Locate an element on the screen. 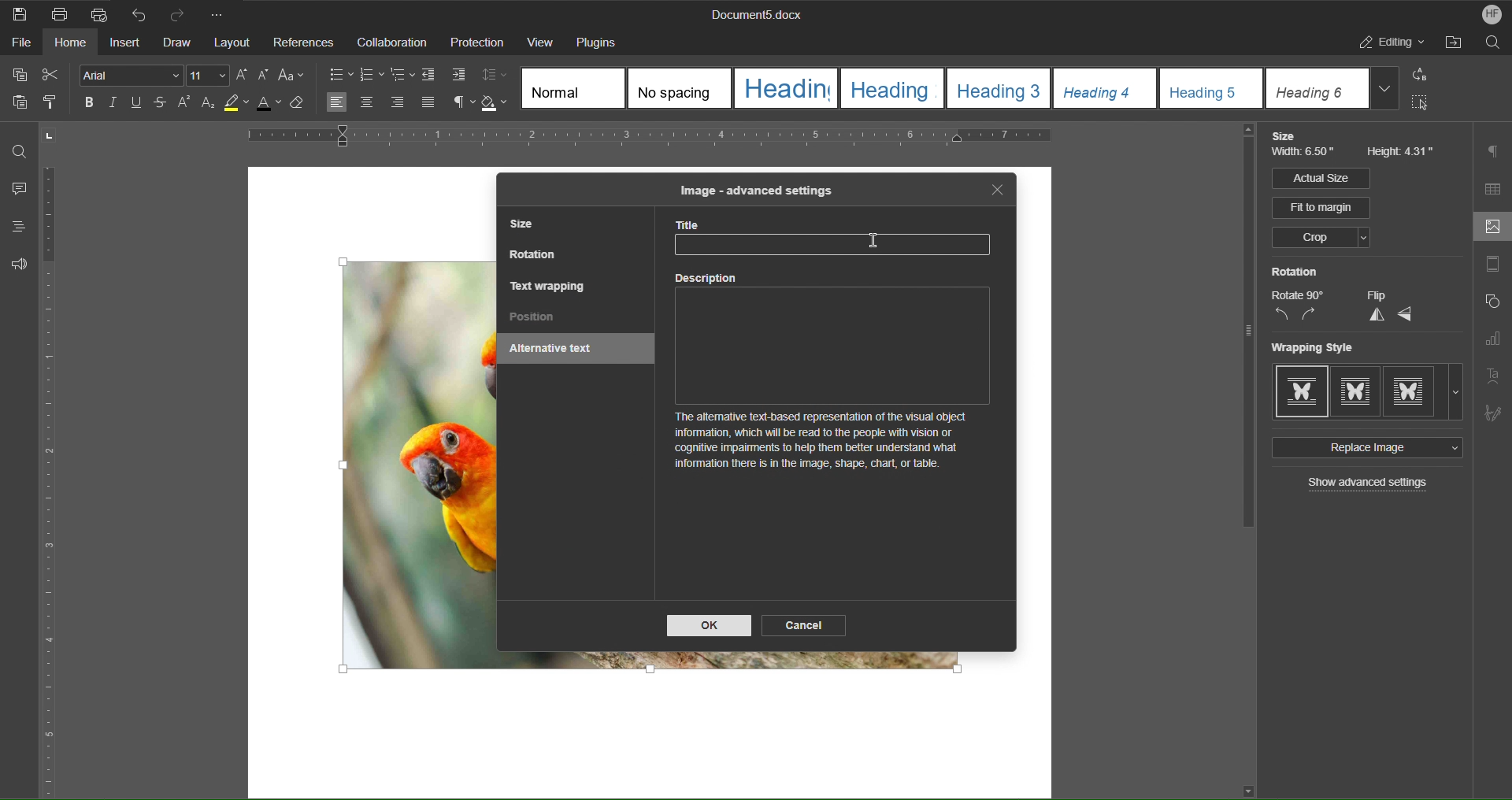 The height and width of the screenshot is (800, 1512). Table Settings is located at coordinates (1493, 189).